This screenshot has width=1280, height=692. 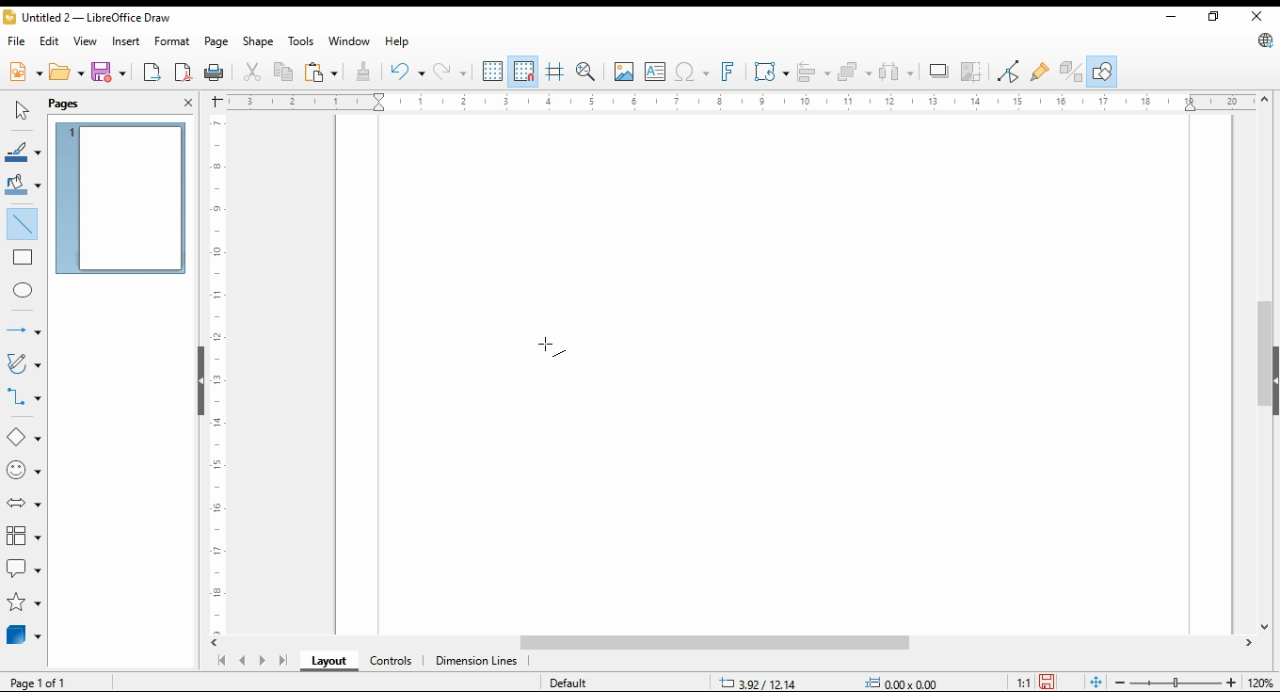 What do you see at coordinates (367, 72) in the screenshot?
I see `clone formatting` at bounding box center [367, 72].